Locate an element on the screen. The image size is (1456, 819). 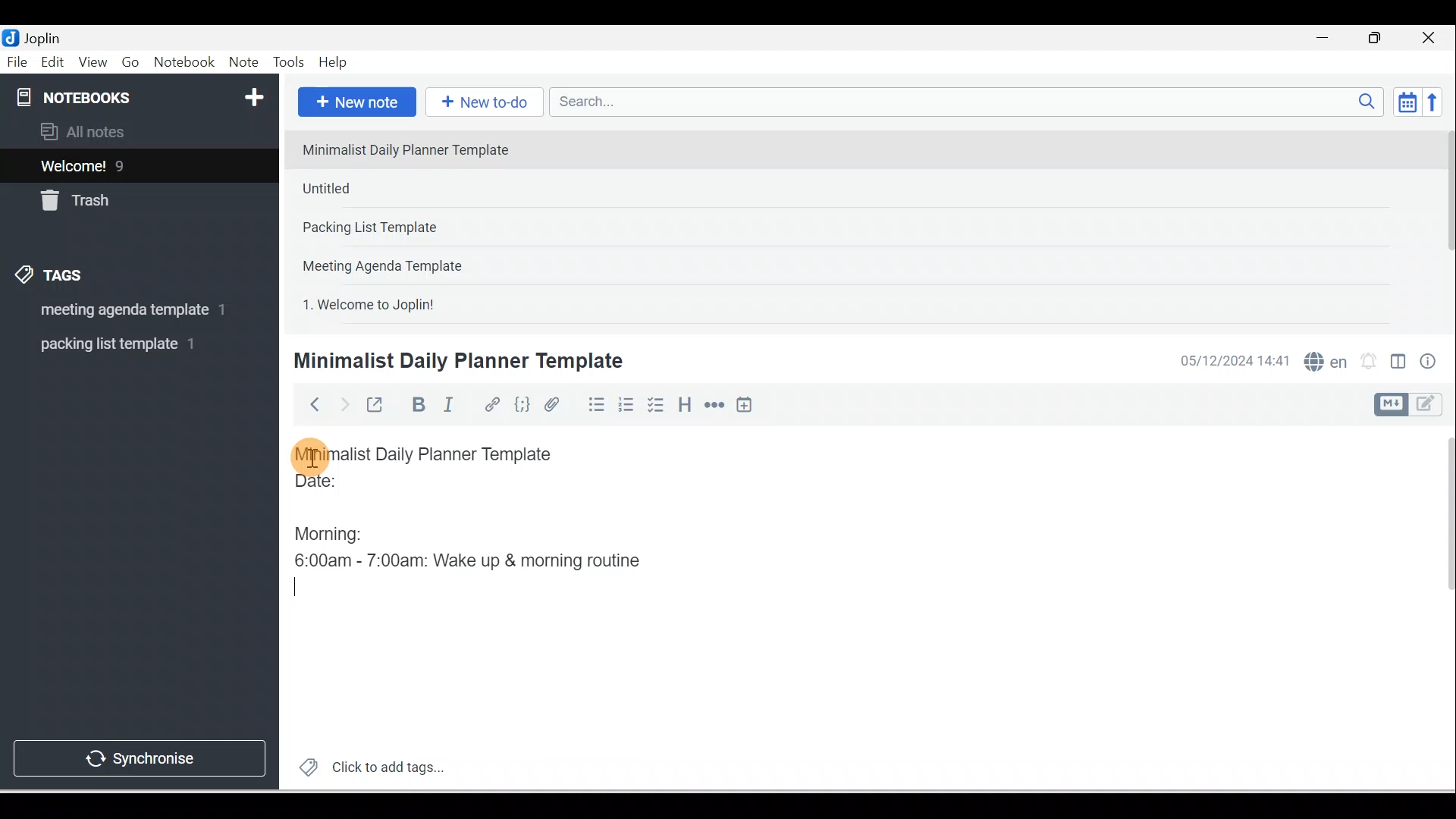
Insert time is located at coordinates (744, 406).